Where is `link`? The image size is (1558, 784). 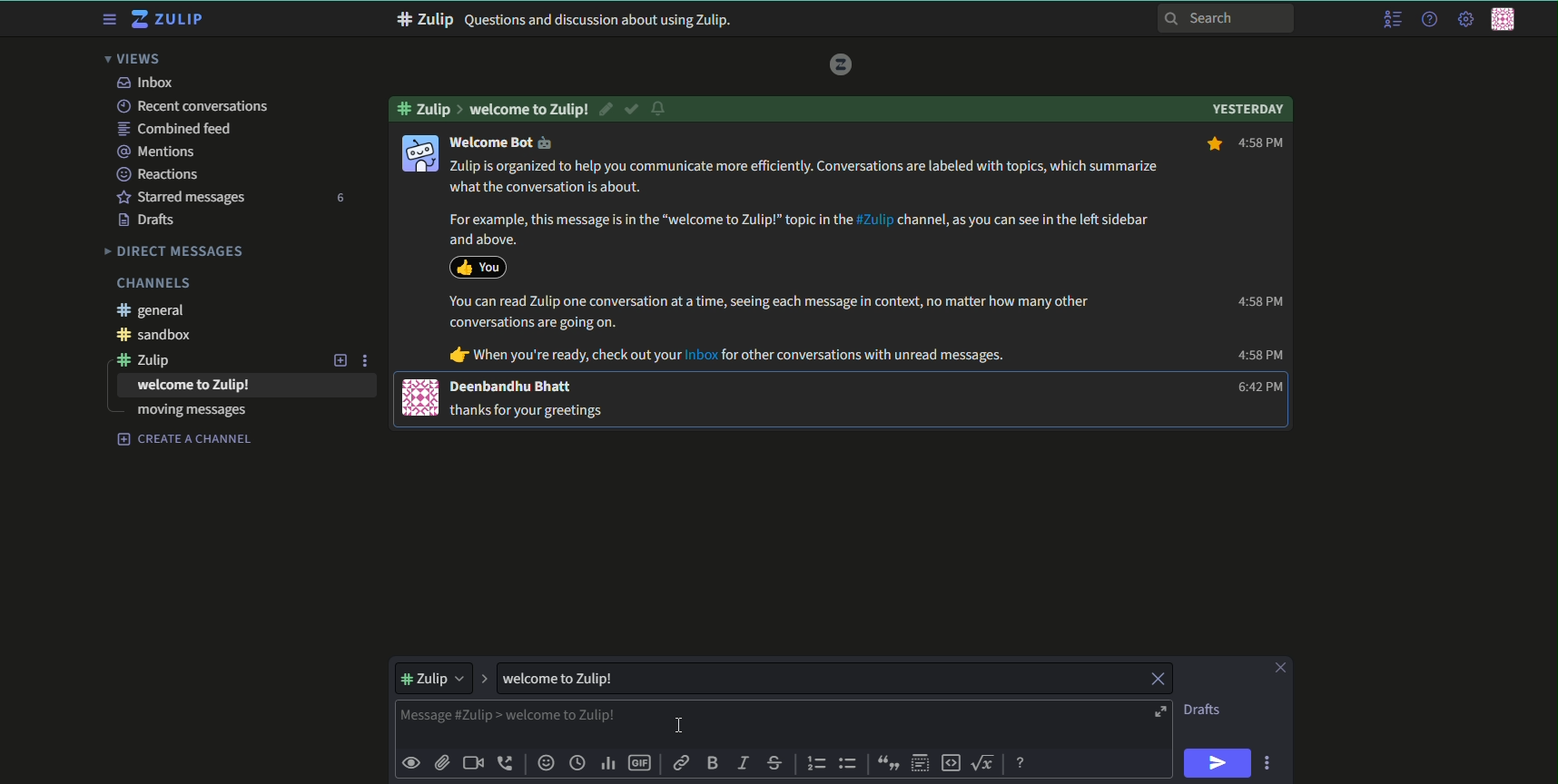
link is located at coordinates (683, 765).